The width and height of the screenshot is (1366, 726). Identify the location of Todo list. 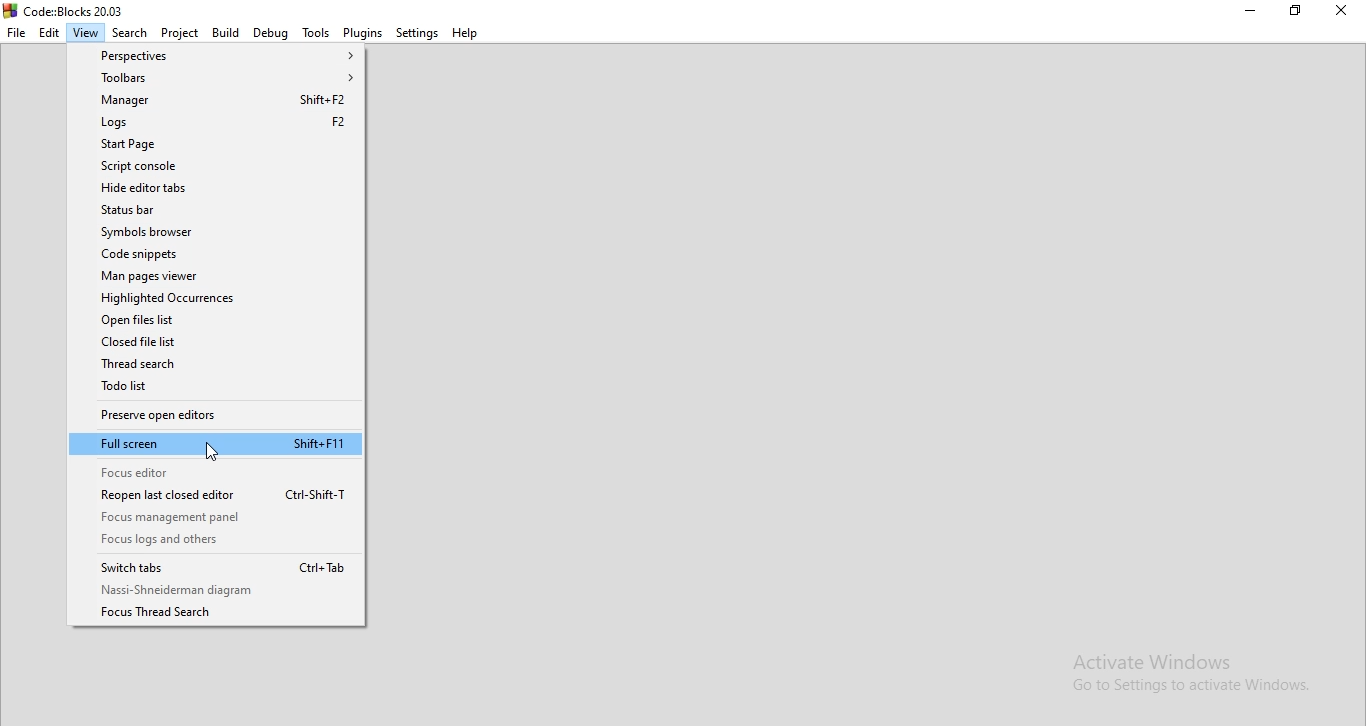
(215, 387).